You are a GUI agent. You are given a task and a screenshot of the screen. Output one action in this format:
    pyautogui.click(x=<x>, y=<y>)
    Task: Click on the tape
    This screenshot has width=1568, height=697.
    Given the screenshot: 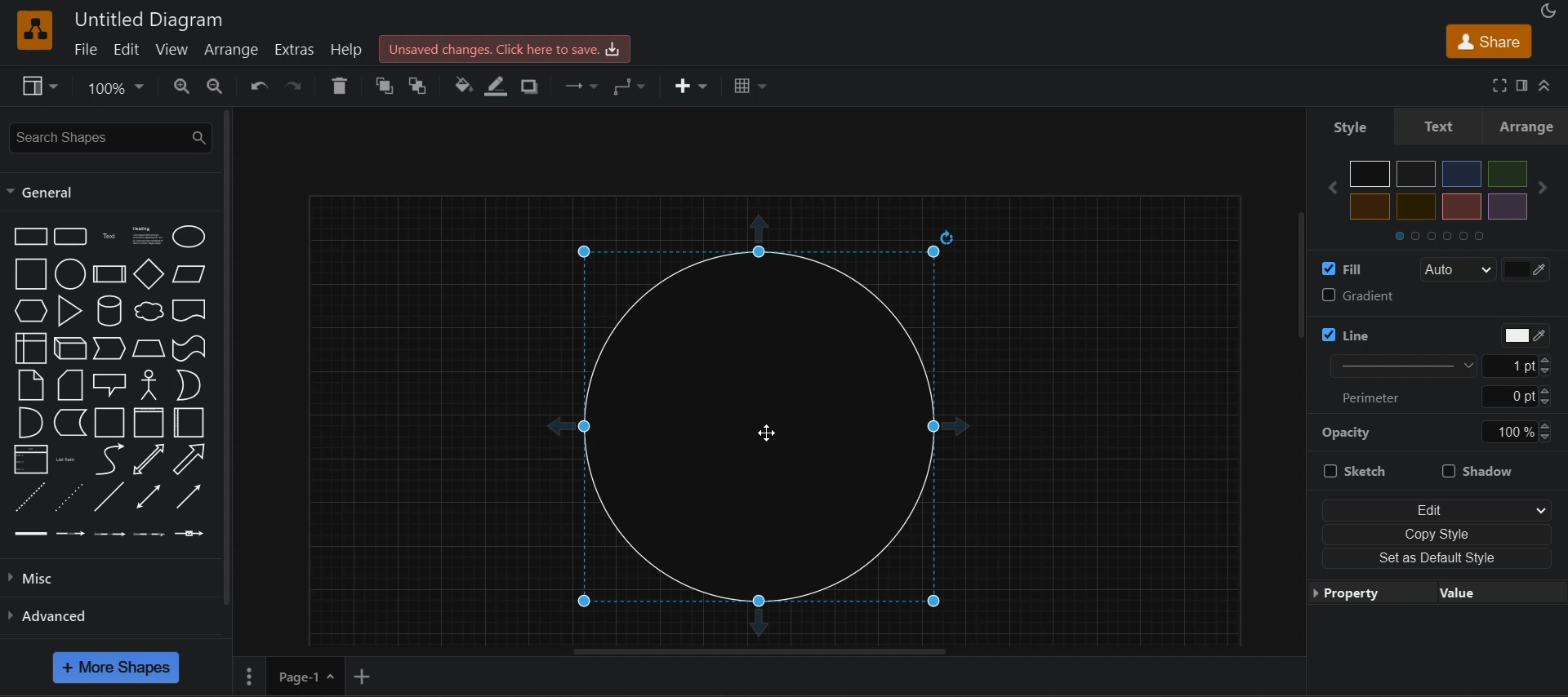 What is the action you would take?
    pyautogui.click(x=193, y=348)
    